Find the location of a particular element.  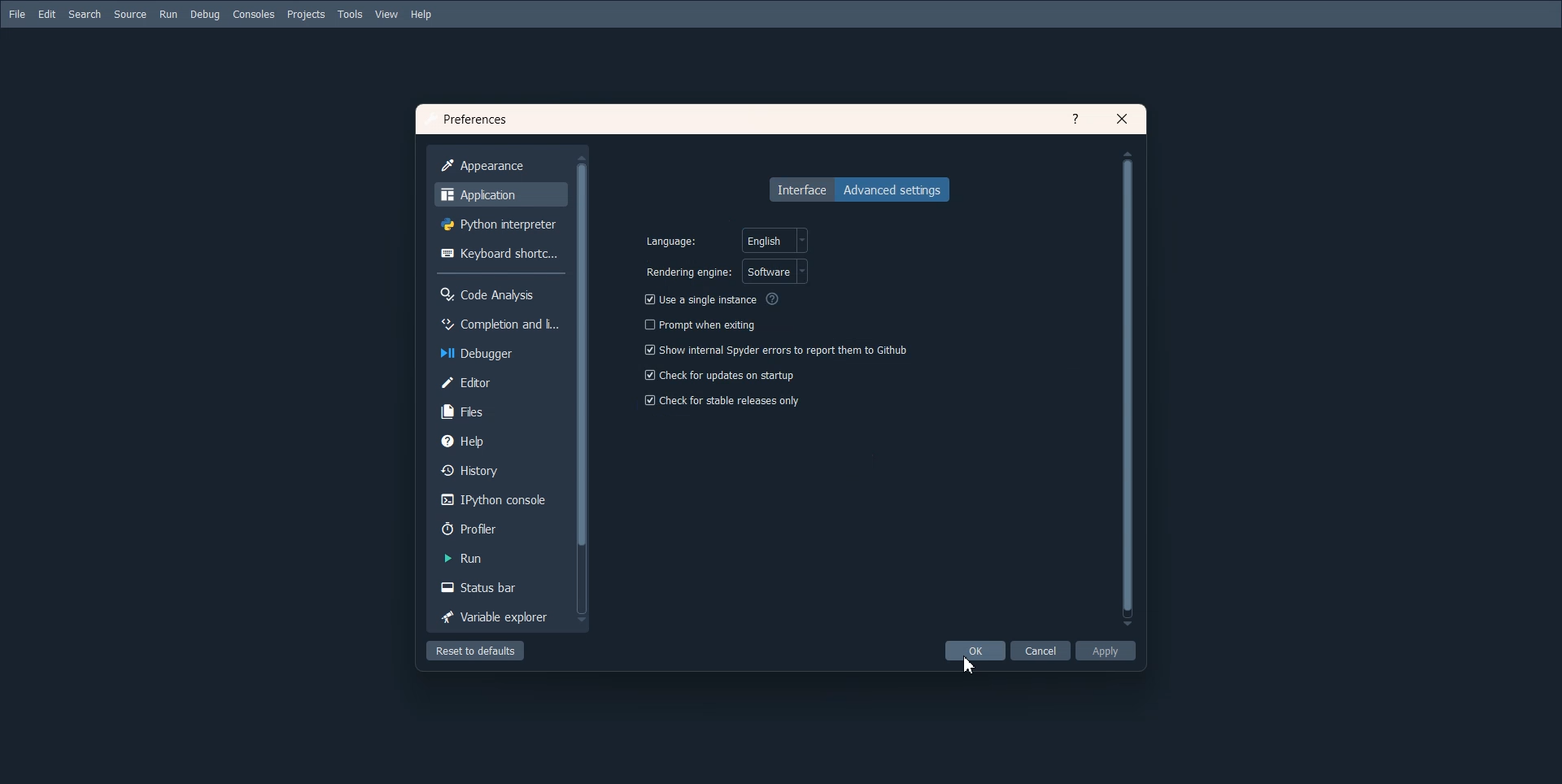

Advanced settings is located at coordinates (896, 190).